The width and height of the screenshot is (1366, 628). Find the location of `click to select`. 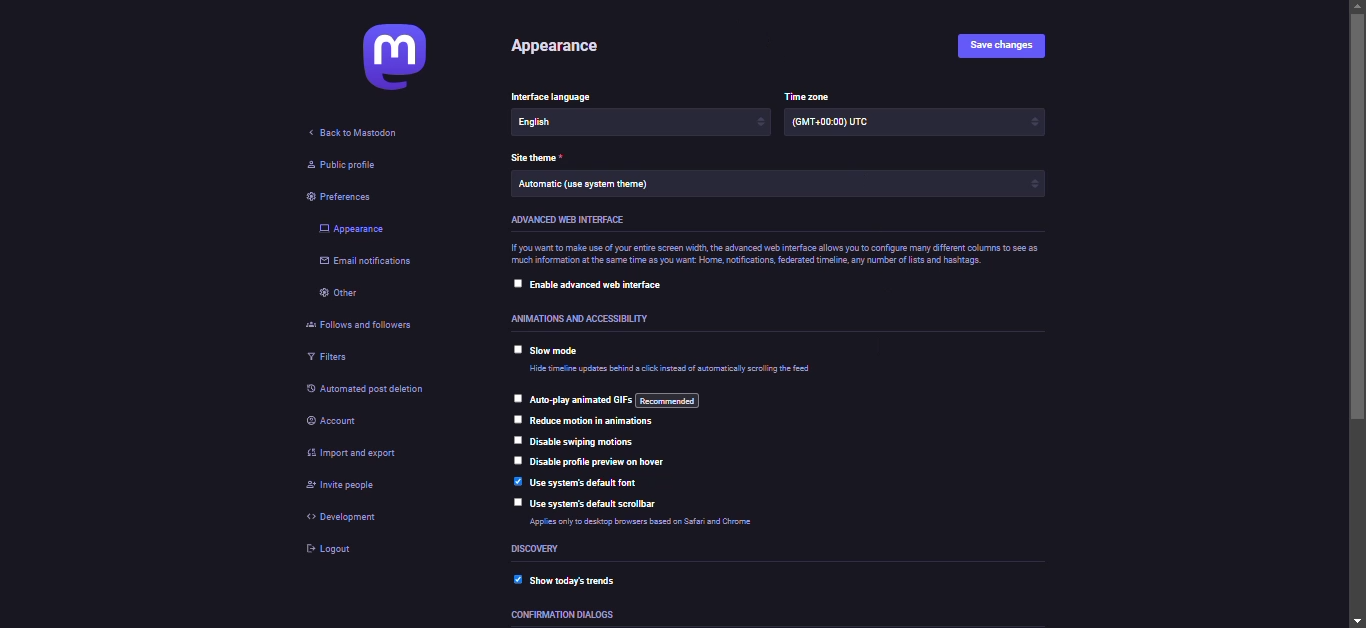

click to select is located at coordinates (515, 284).